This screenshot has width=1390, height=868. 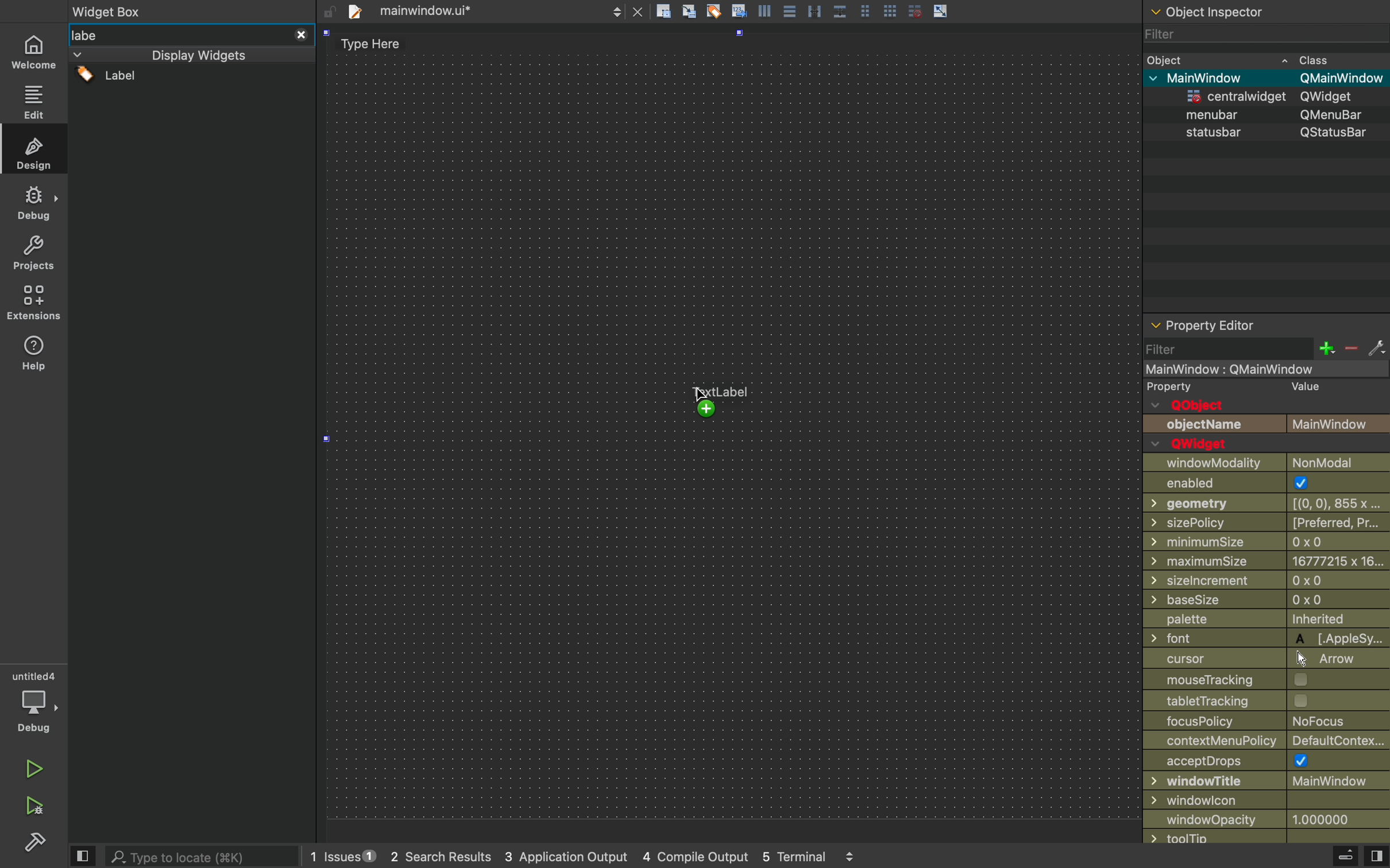 I want to click on projects, so click(x=32, y=254).